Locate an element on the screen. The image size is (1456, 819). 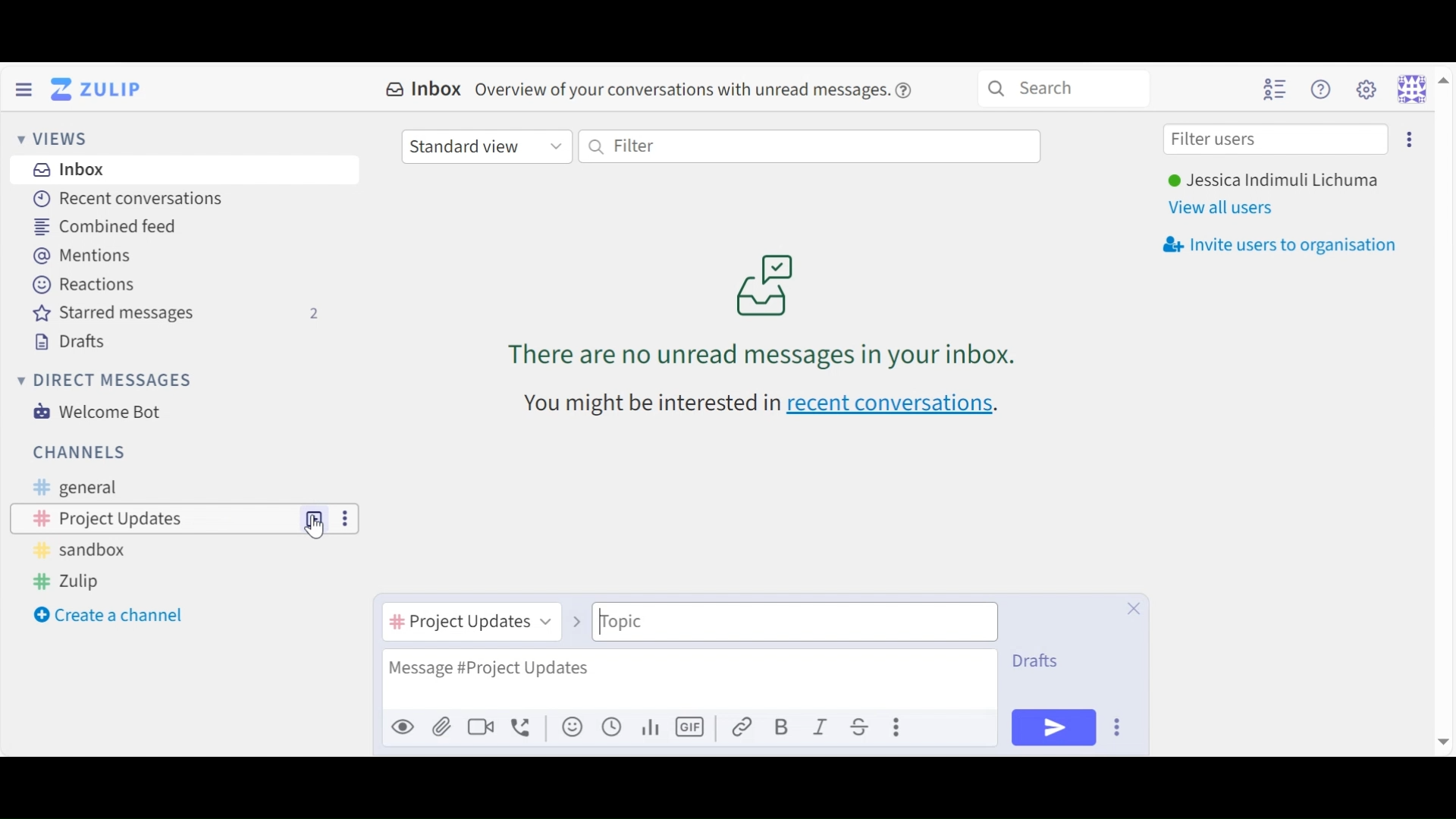
Preview is located at coordinates (402, 726).